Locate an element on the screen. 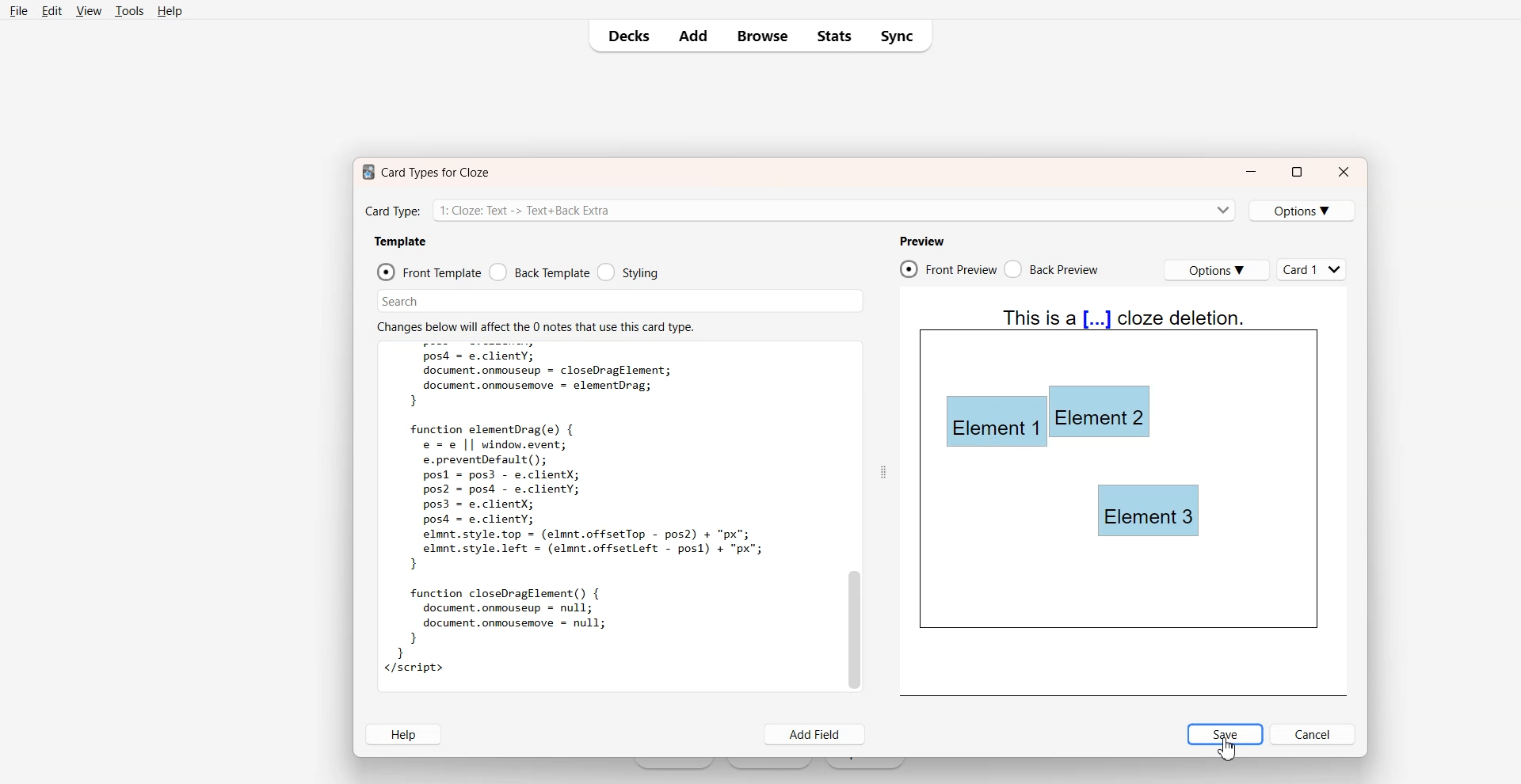  Maximize is located at coordinates (1296, 172).